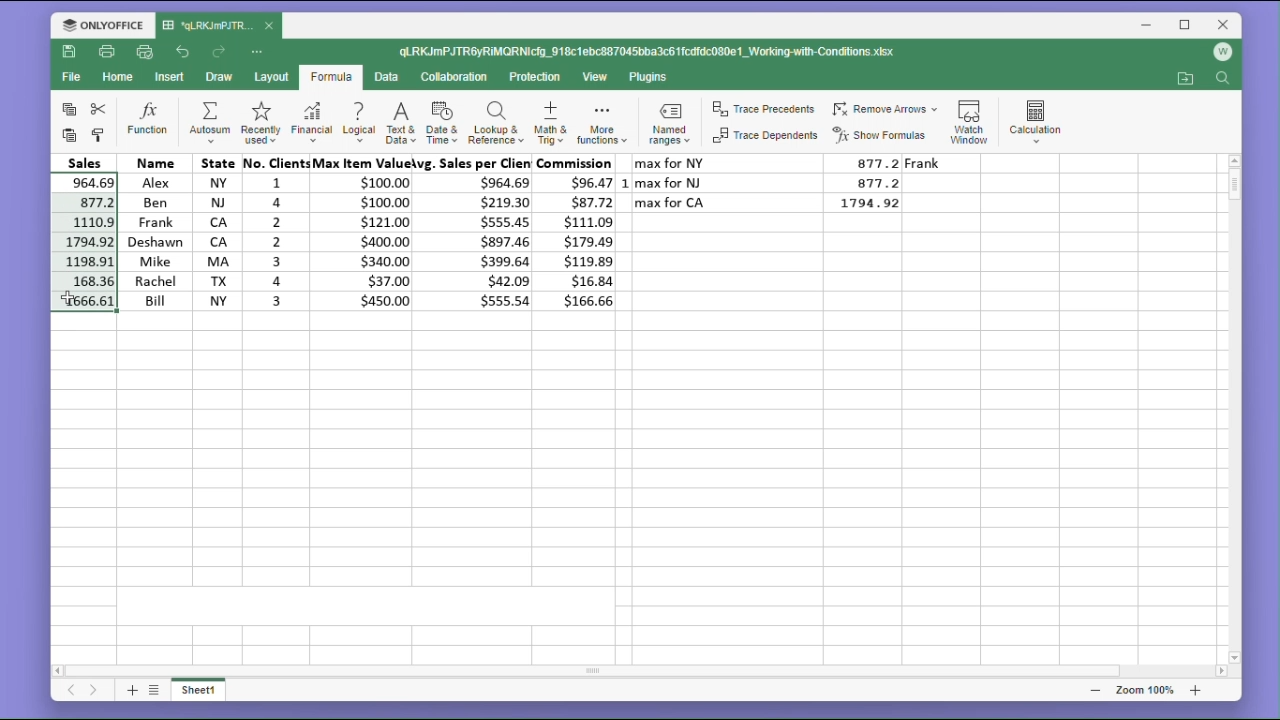  What do you see at coordinates (70, 55) in the screenshot?
I see `save` at bounding box center [70, 55].